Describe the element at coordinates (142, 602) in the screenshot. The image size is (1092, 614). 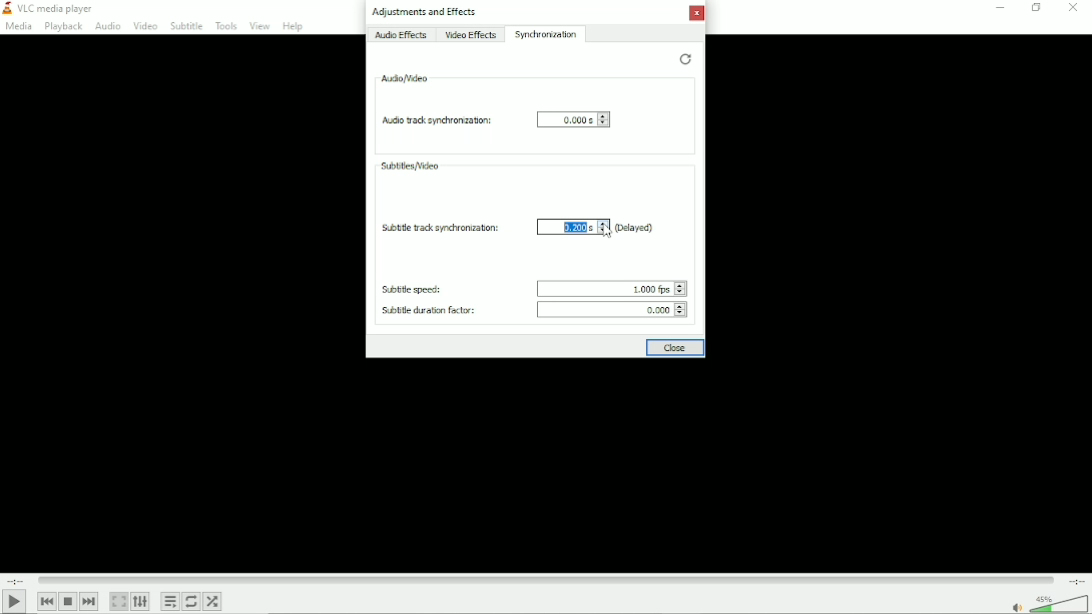
I see `Show extended settings` at that location.